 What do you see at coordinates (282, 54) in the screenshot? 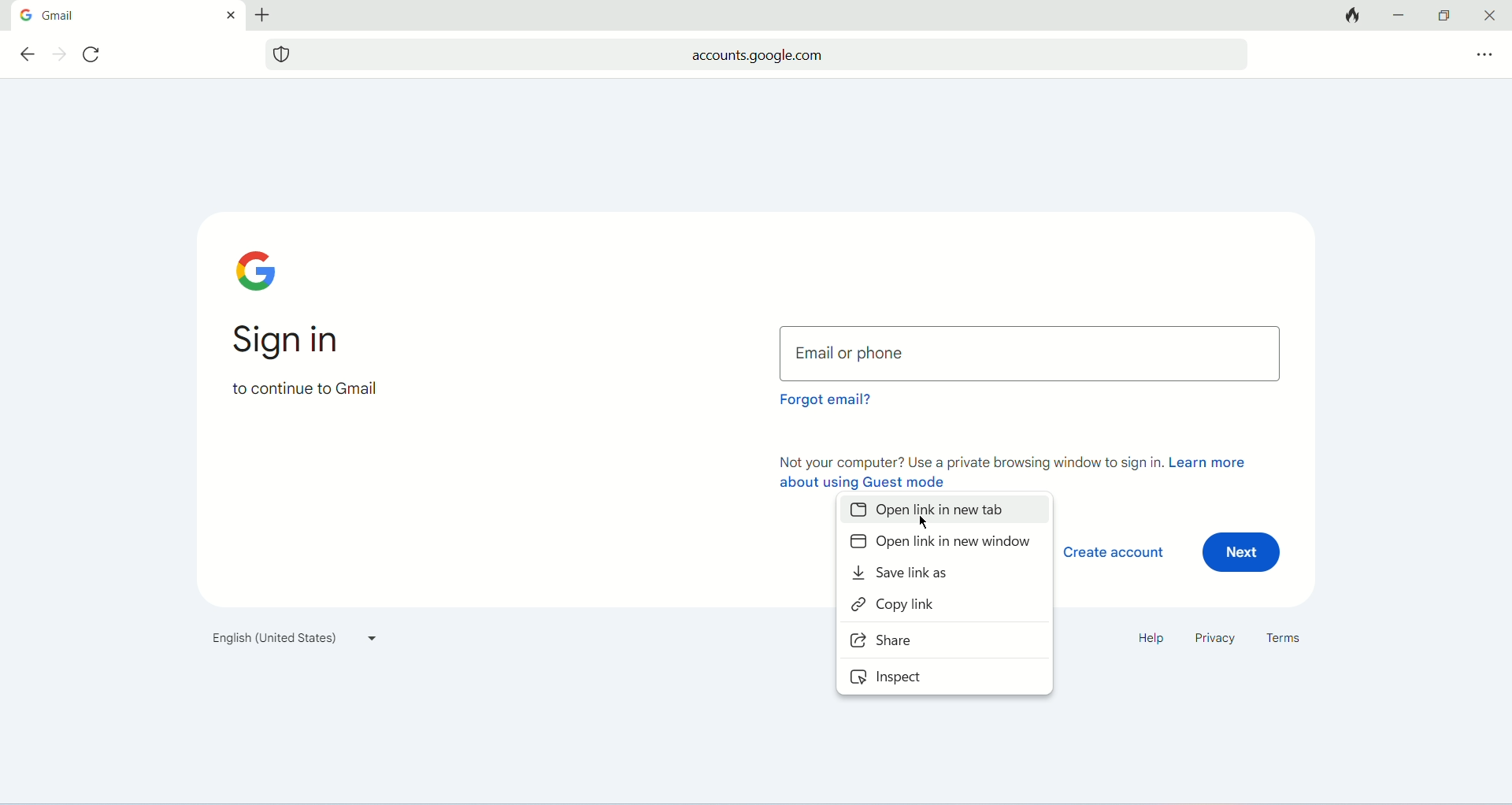
I see `website tracking logo` at bounding box center [282, 54].